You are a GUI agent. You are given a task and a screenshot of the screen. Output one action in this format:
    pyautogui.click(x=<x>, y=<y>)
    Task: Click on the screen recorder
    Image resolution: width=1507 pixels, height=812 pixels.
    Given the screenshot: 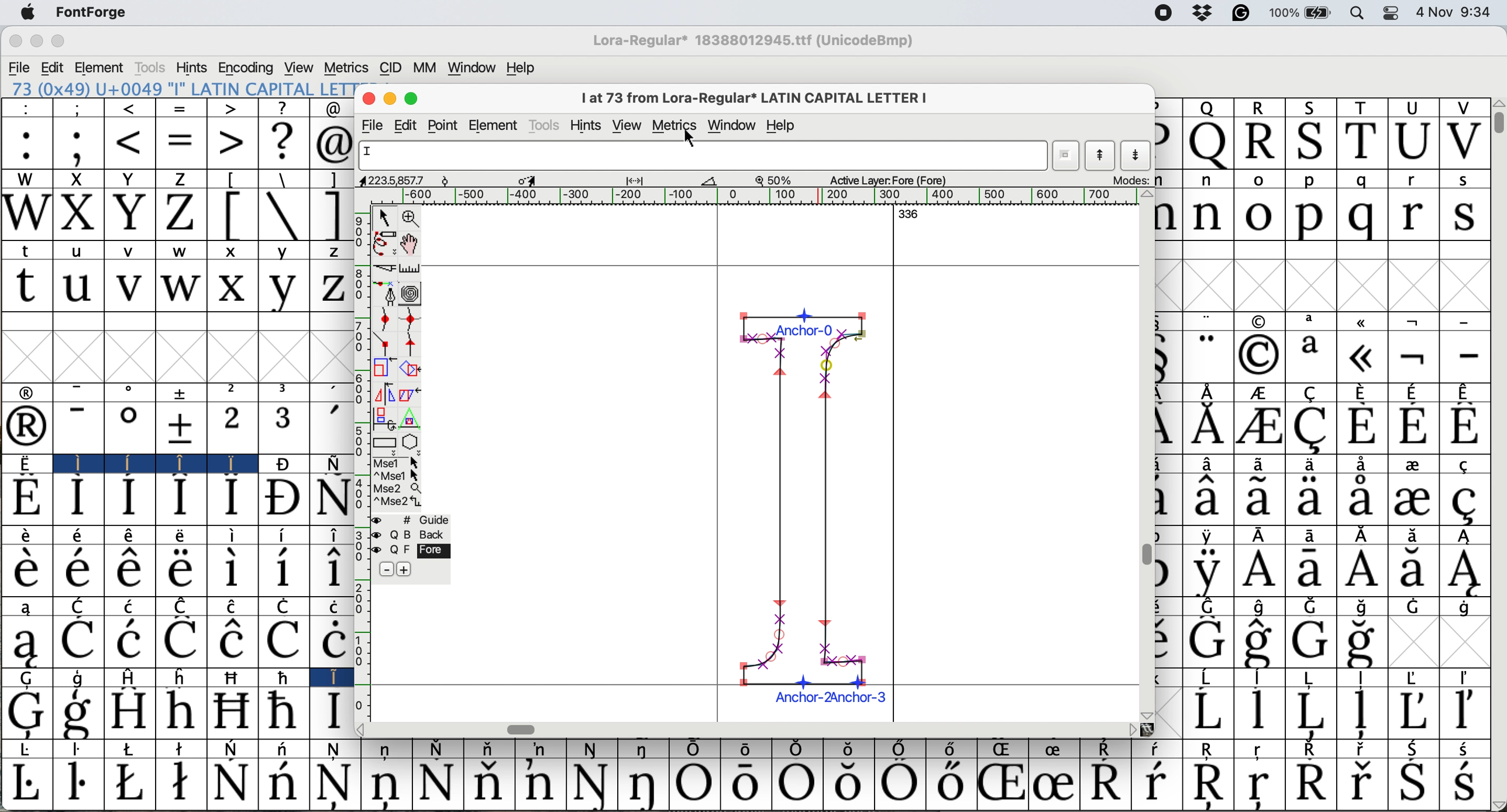 What is the action you would take?
    pyautogui.click(x=1162, y=14)
    